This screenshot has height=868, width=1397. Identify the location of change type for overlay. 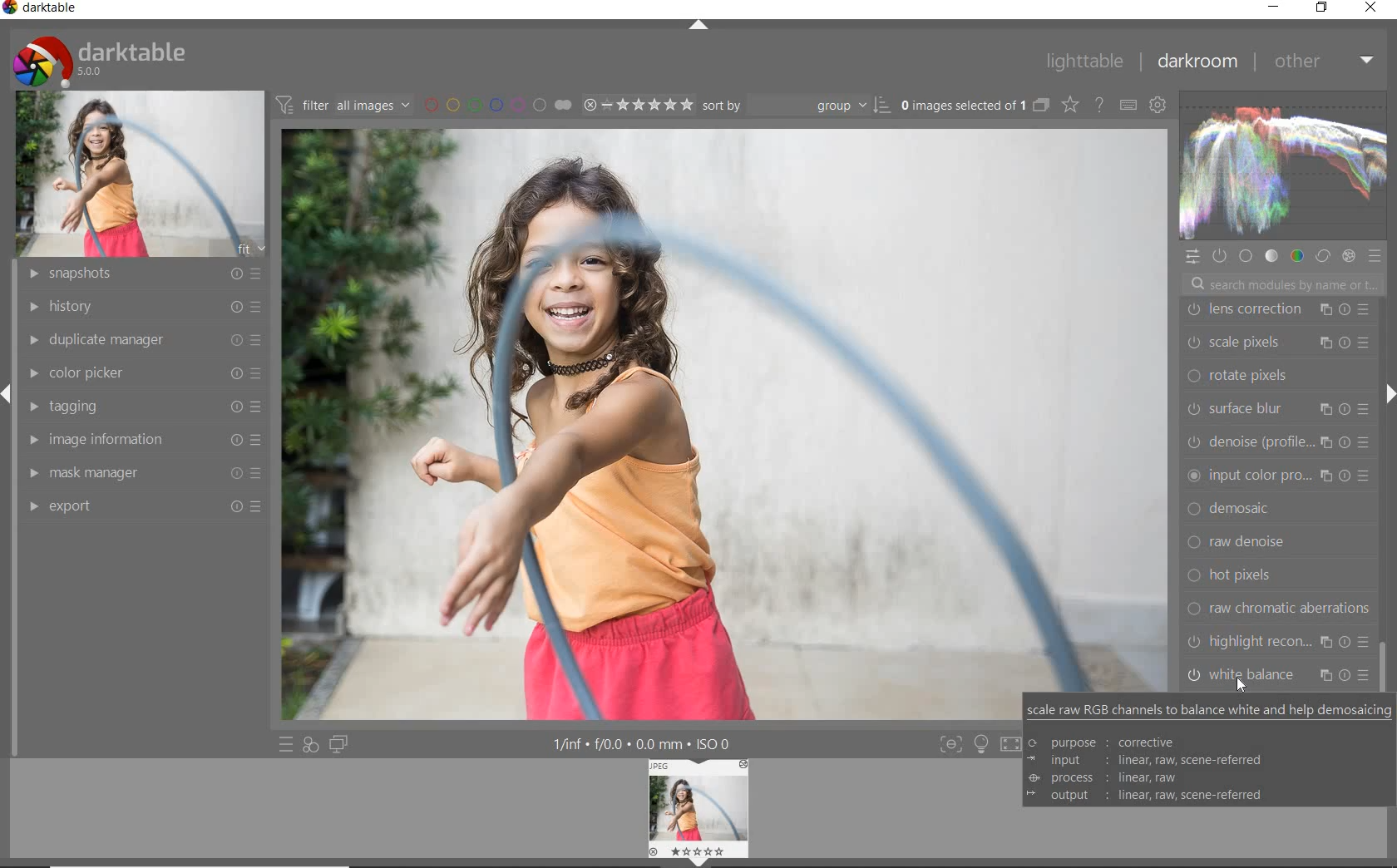
(1071, 105).